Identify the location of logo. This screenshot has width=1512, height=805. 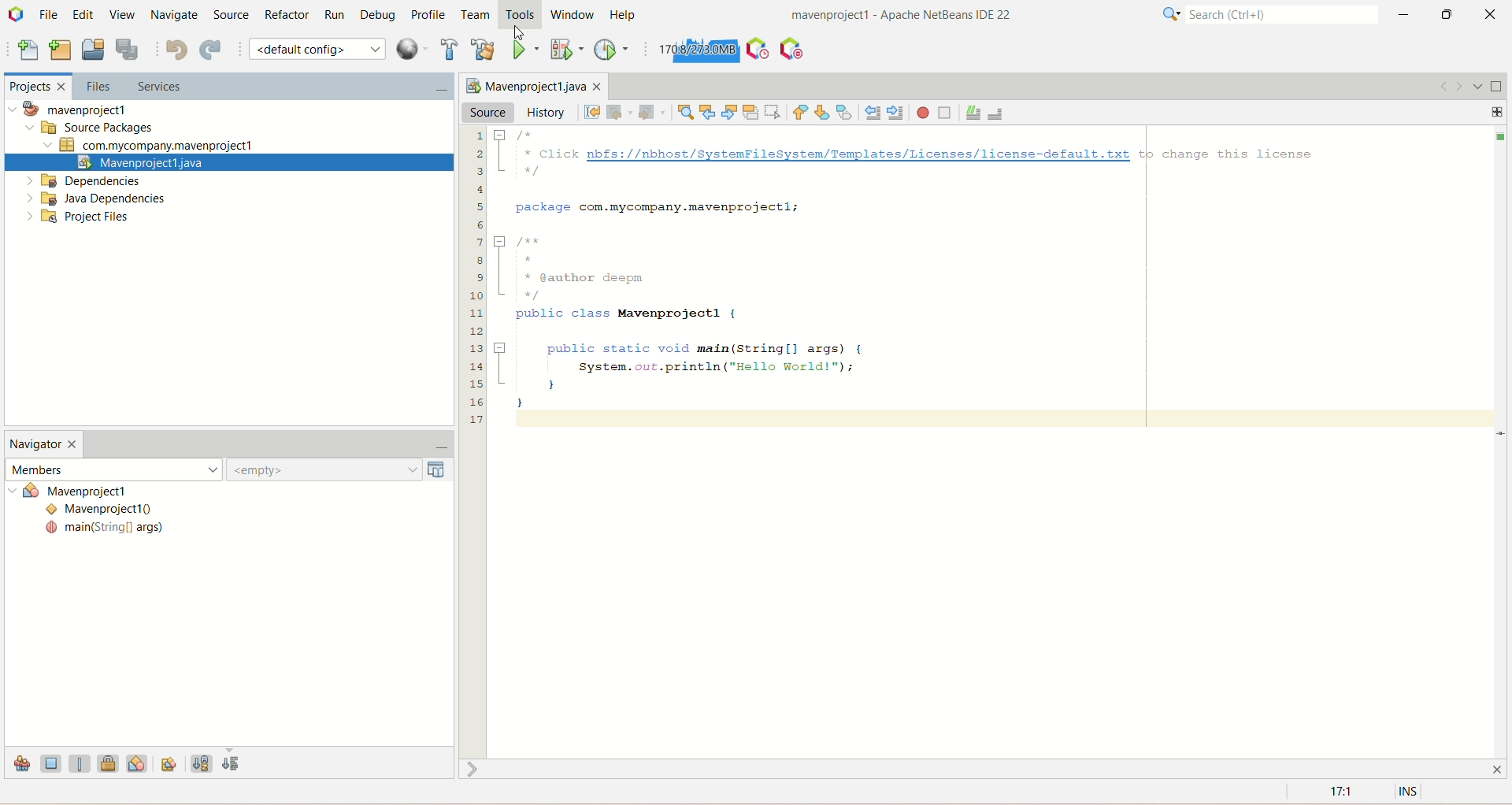
(17, 16).